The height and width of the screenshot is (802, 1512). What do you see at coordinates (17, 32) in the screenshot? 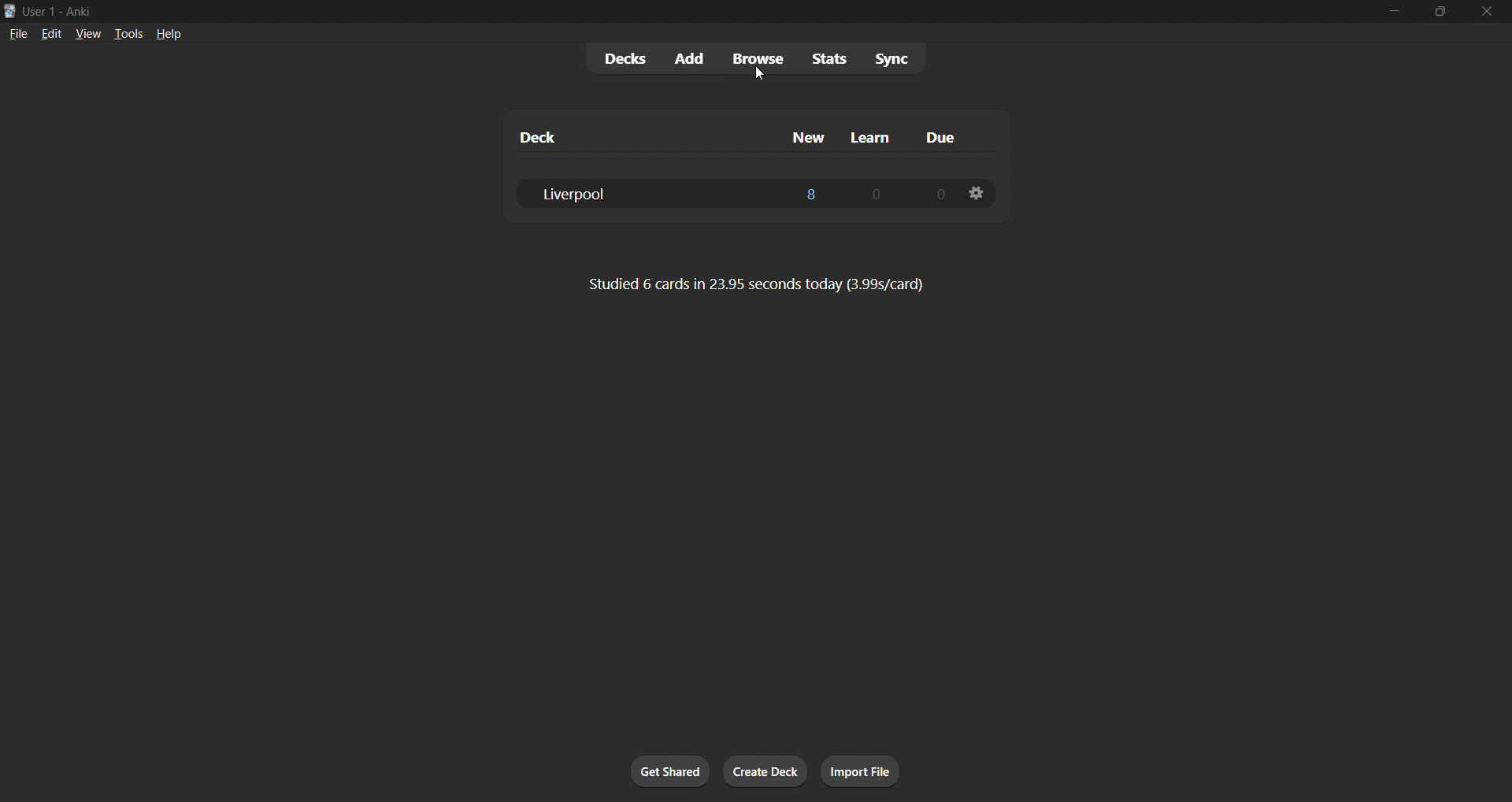
I see `file` at bounding box center [17, 32].